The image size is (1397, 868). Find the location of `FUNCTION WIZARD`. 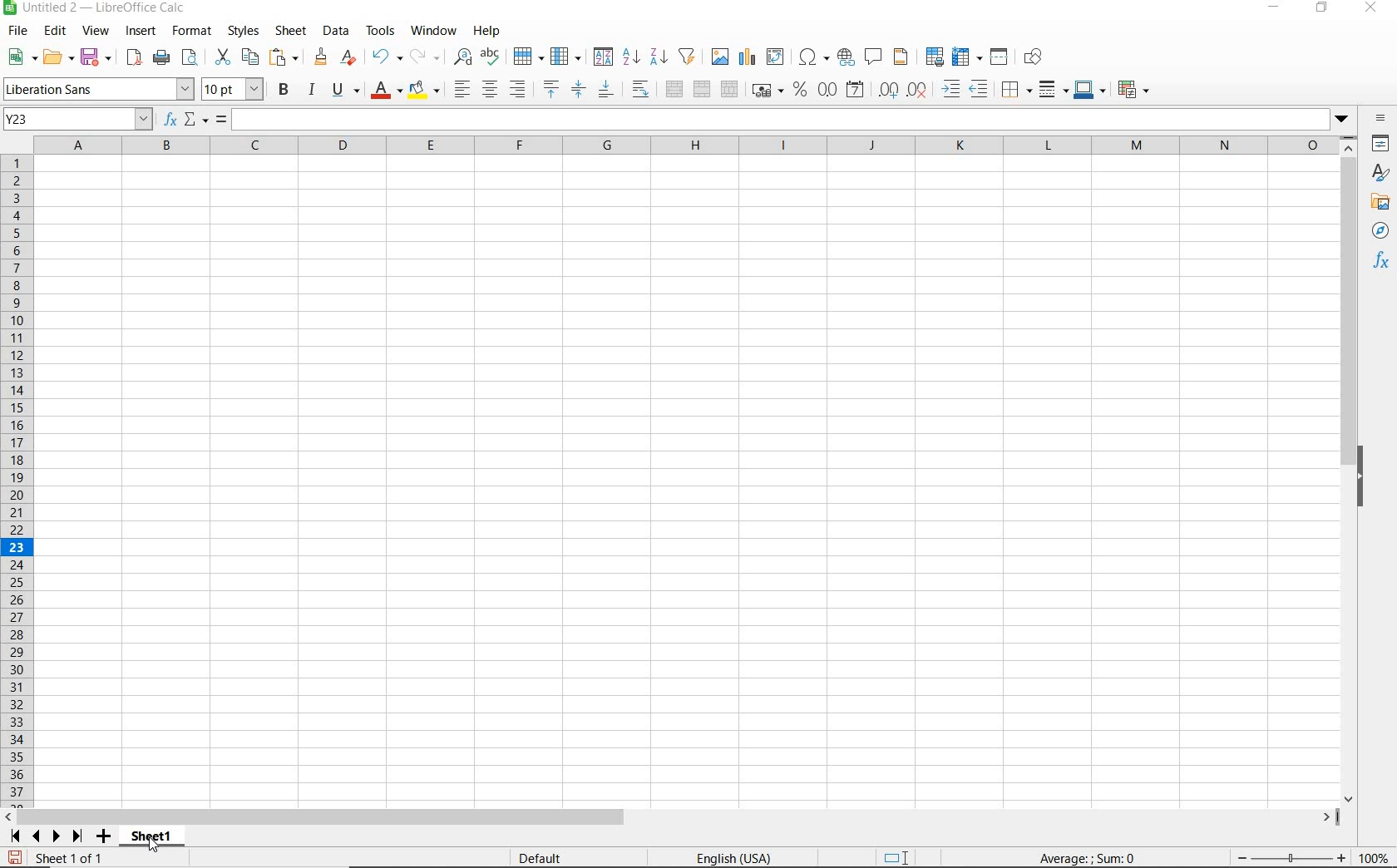

FUNCTION WIZARD is located at coordinates (170, 121).